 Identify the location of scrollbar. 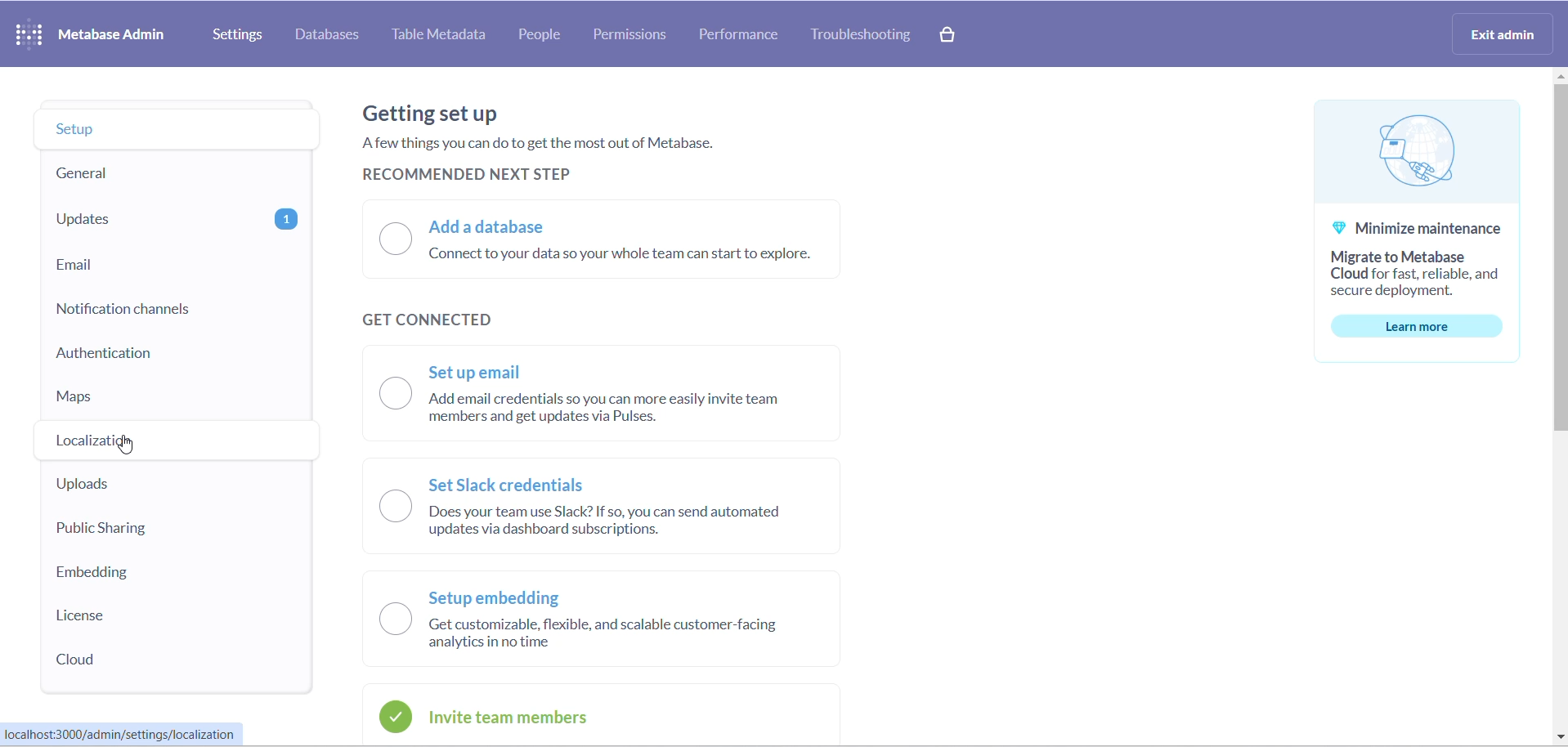
(1558, 264).